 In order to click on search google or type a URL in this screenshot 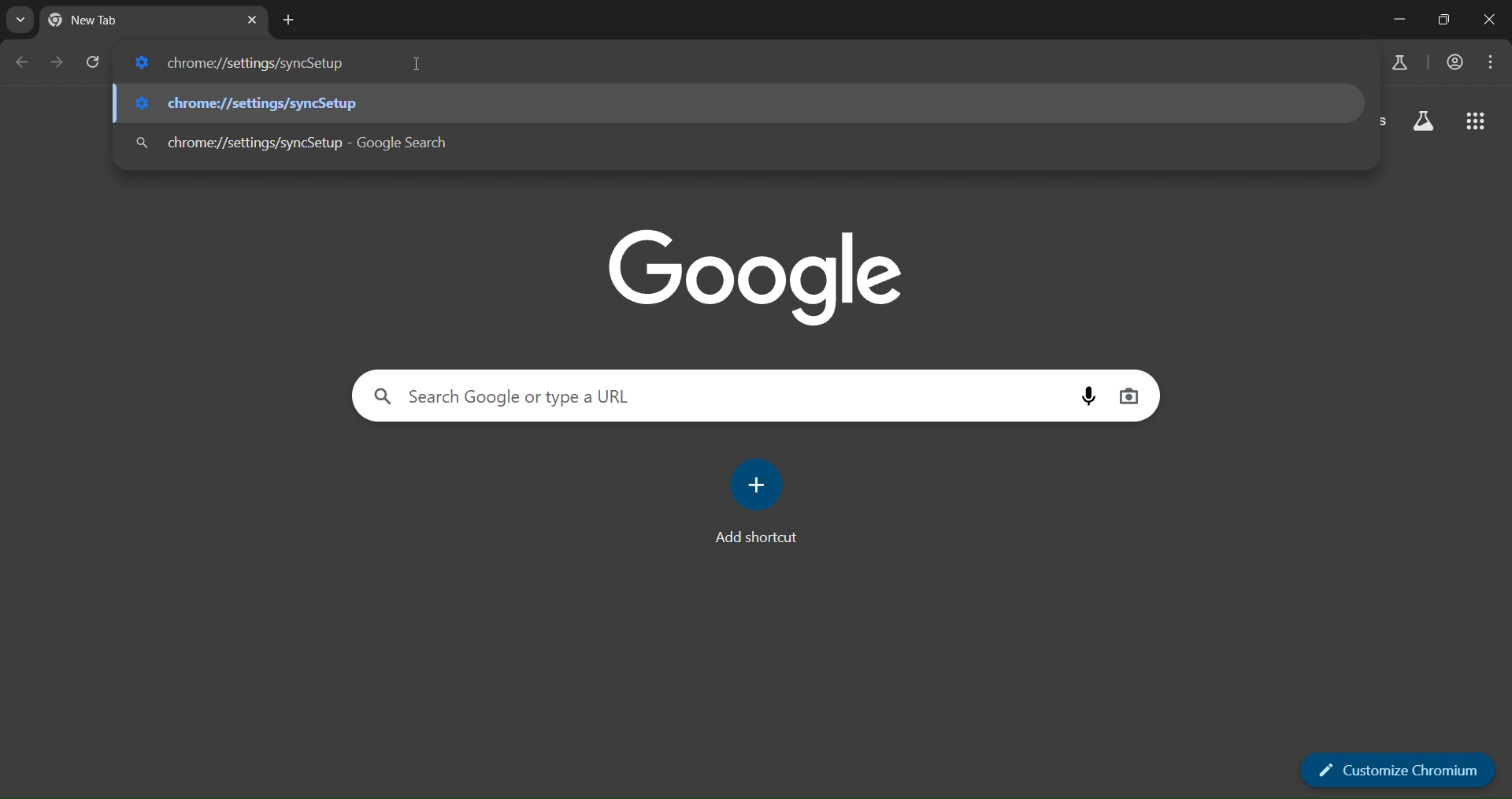, I will do `click(720, 396)`.